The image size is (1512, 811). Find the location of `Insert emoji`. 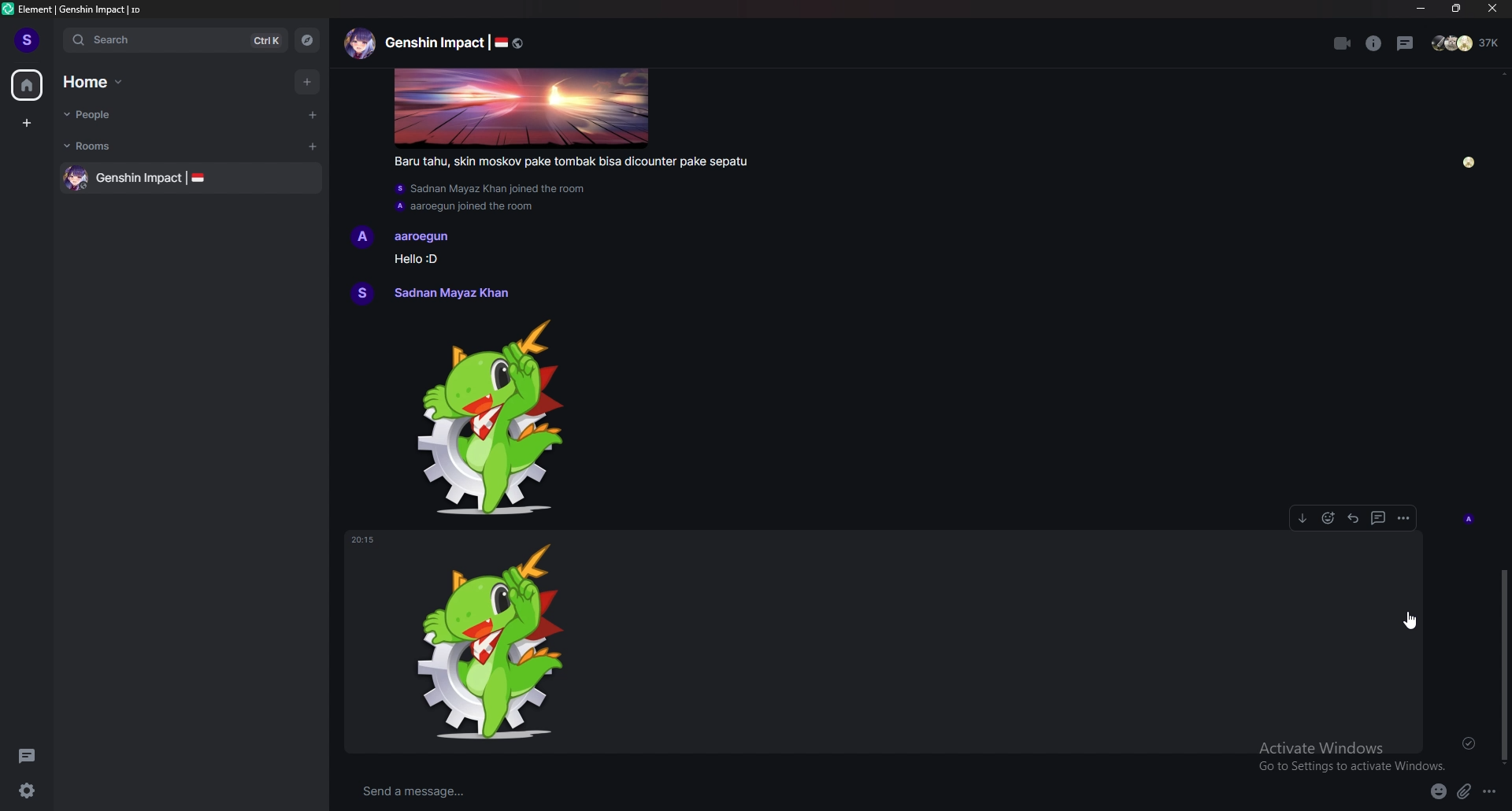

Insert emoji is located at coordinates (1439, 791).